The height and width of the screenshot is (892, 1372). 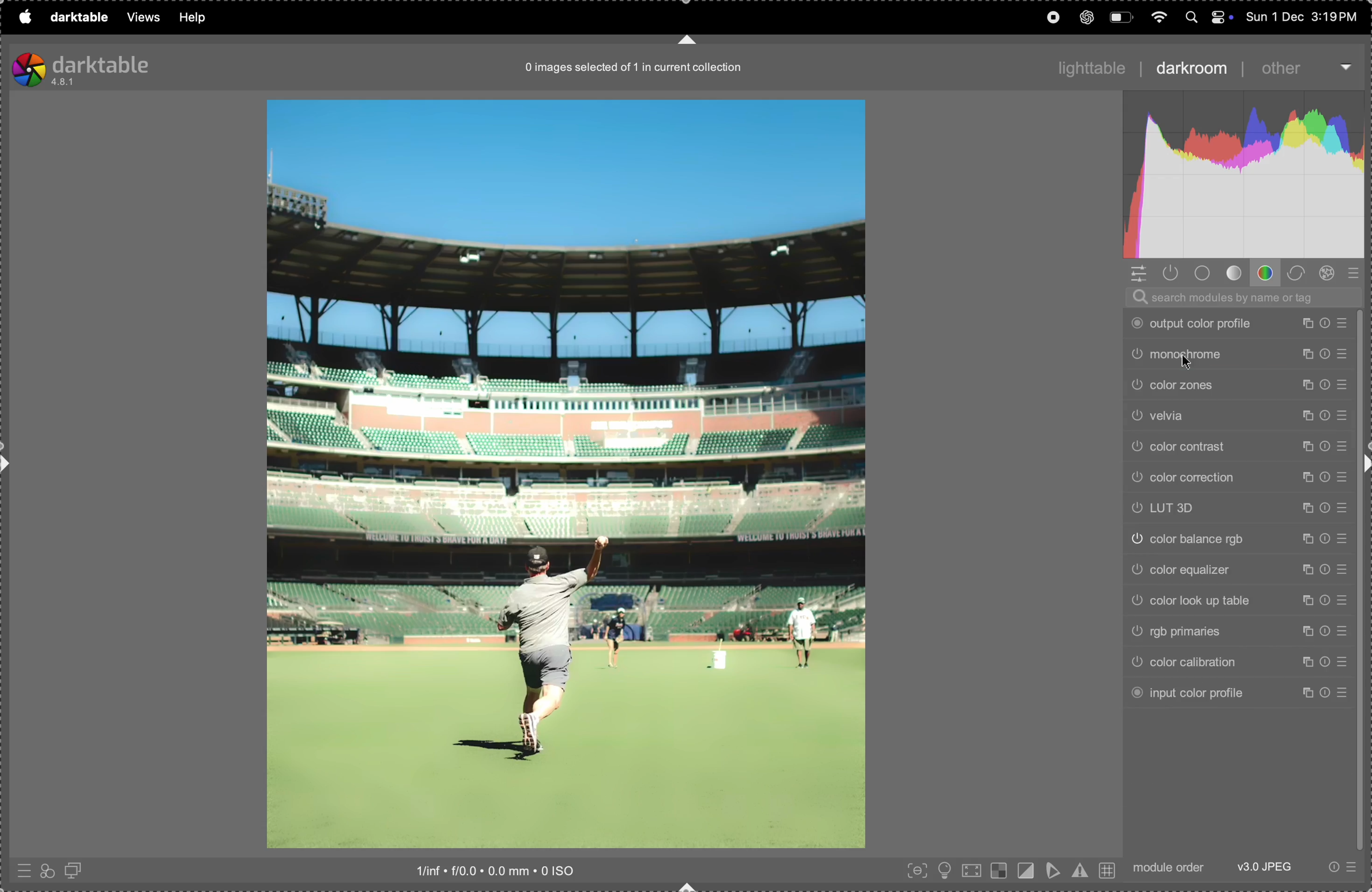 I want to click on presets, so click(x=1357, y=273).